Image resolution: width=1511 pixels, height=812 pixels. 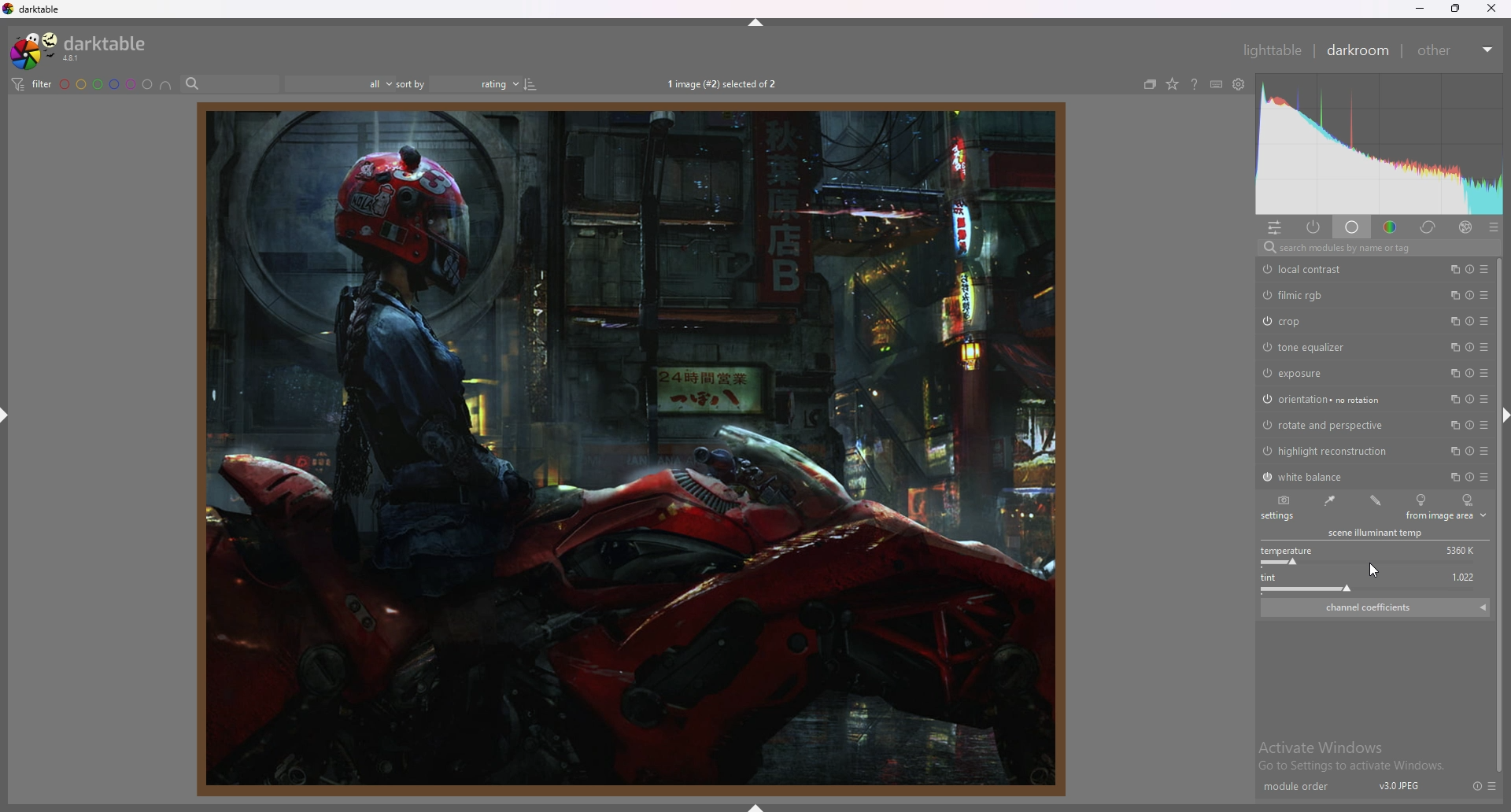 What do you see at coordinates (165, 85) in the screenshot?
I see `including color label` at bounding box center [165, 85].